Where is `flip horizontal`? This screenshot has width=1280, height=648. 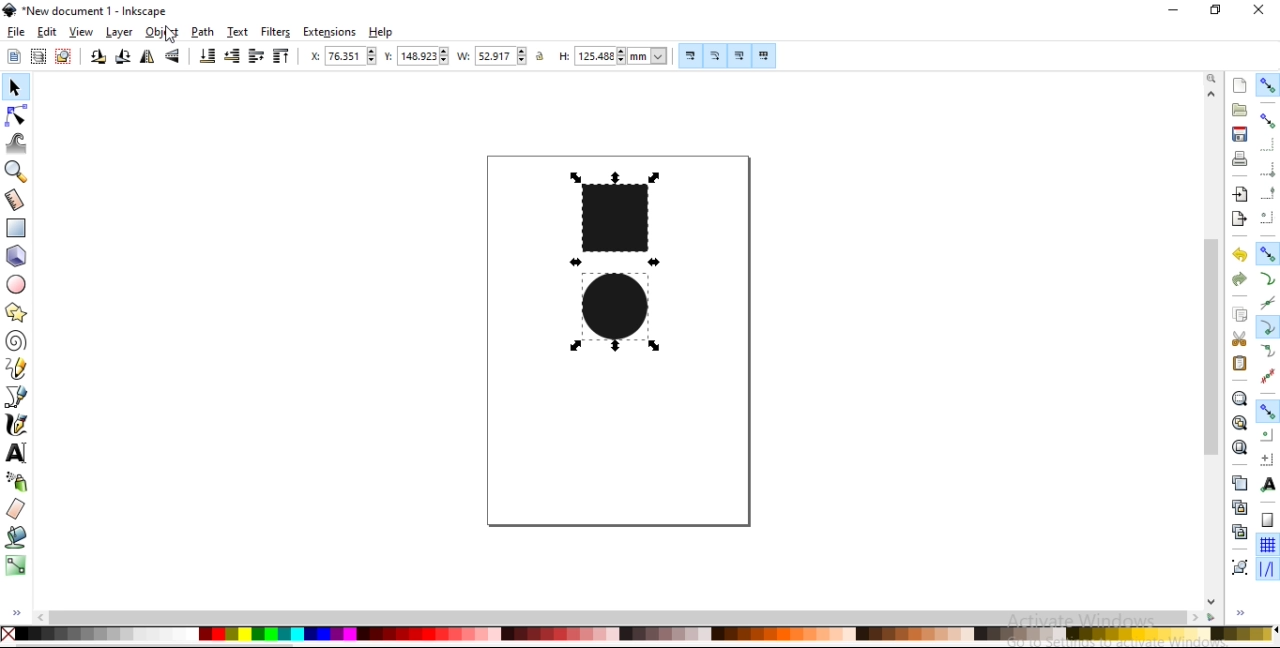
flip horizontal is located at coordinates (147, 58).